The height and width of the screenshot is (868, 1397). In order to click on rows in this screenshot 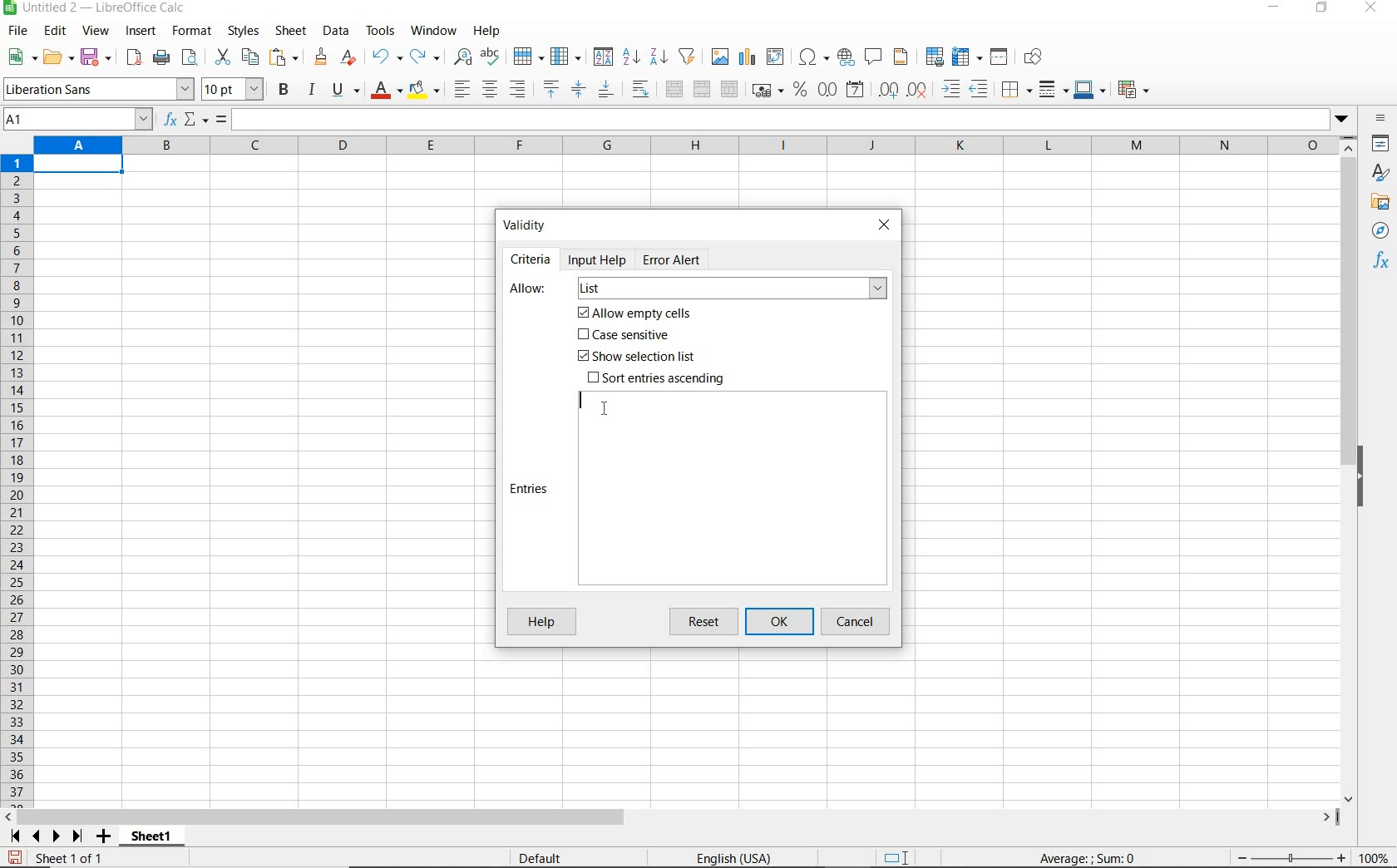, I will do `click(17, 481)`.